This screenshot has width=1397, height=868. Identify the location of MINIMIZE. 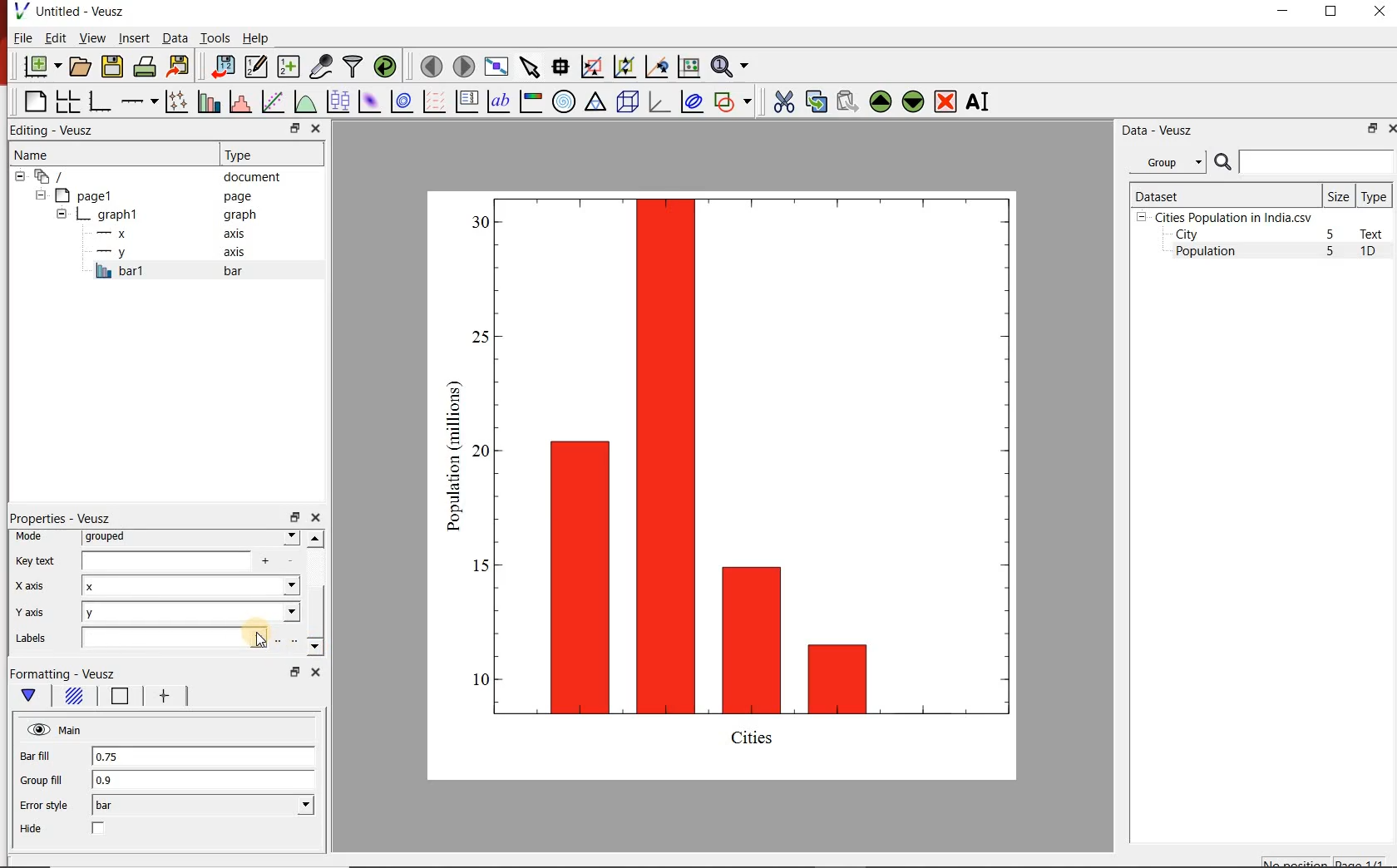
(1284, 11).